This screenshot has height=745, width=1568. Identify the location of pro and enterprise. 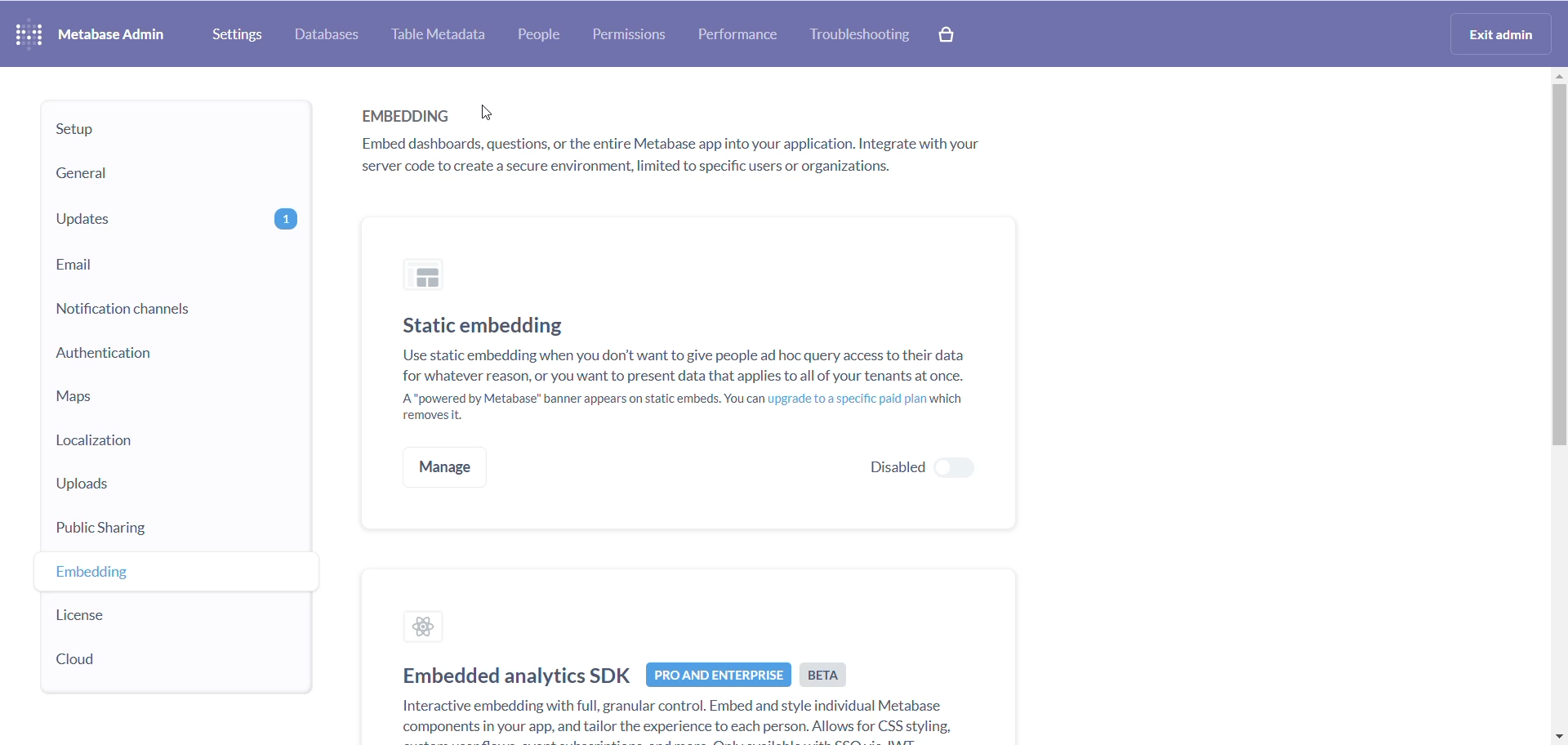
(721, 676).